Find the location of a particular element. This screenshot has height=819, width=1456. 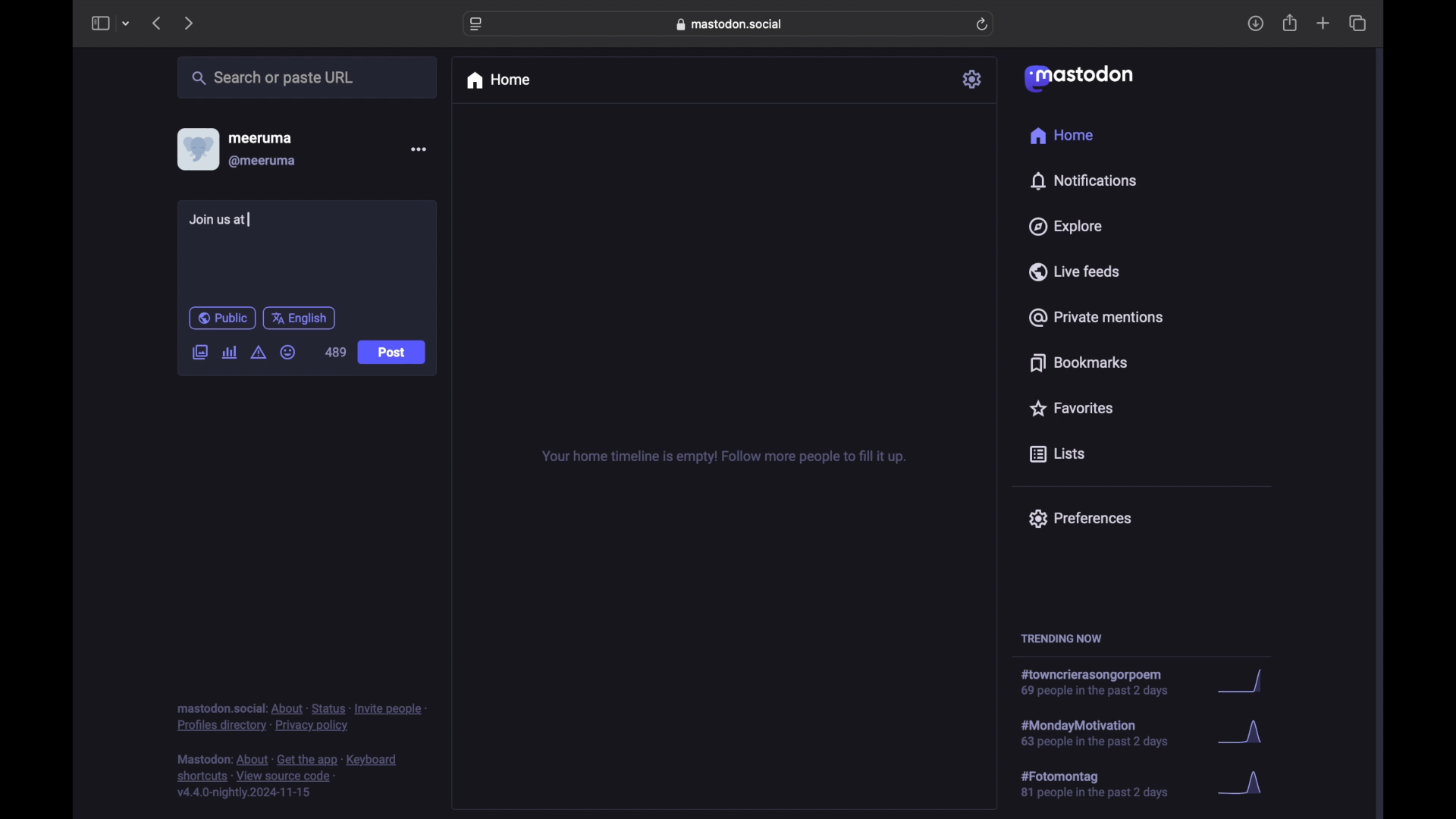

search or paste url is located at coordinates (272, 78).